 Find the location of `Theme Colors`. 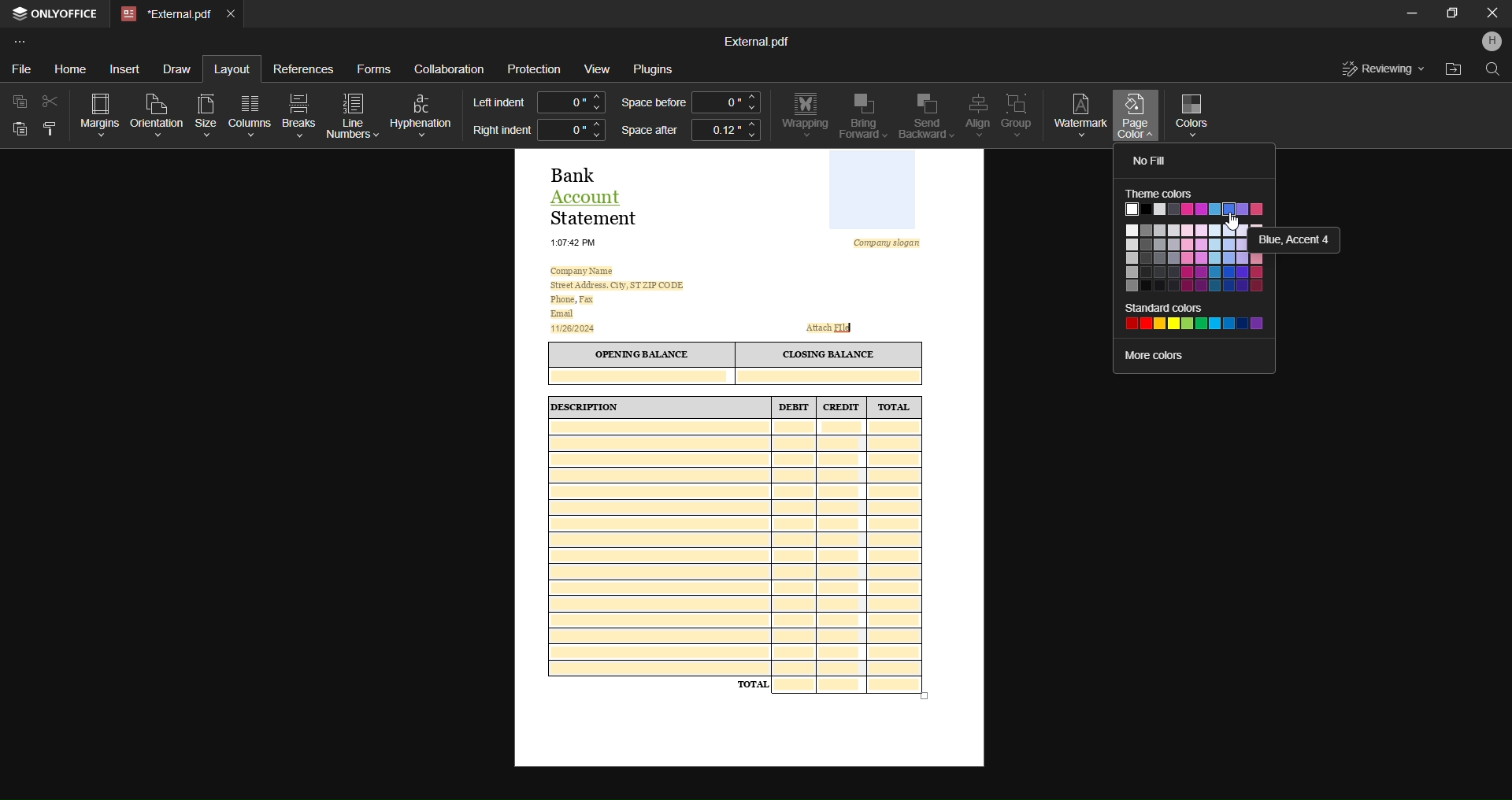

Theme Colors is located at coordinates (1162, 193).